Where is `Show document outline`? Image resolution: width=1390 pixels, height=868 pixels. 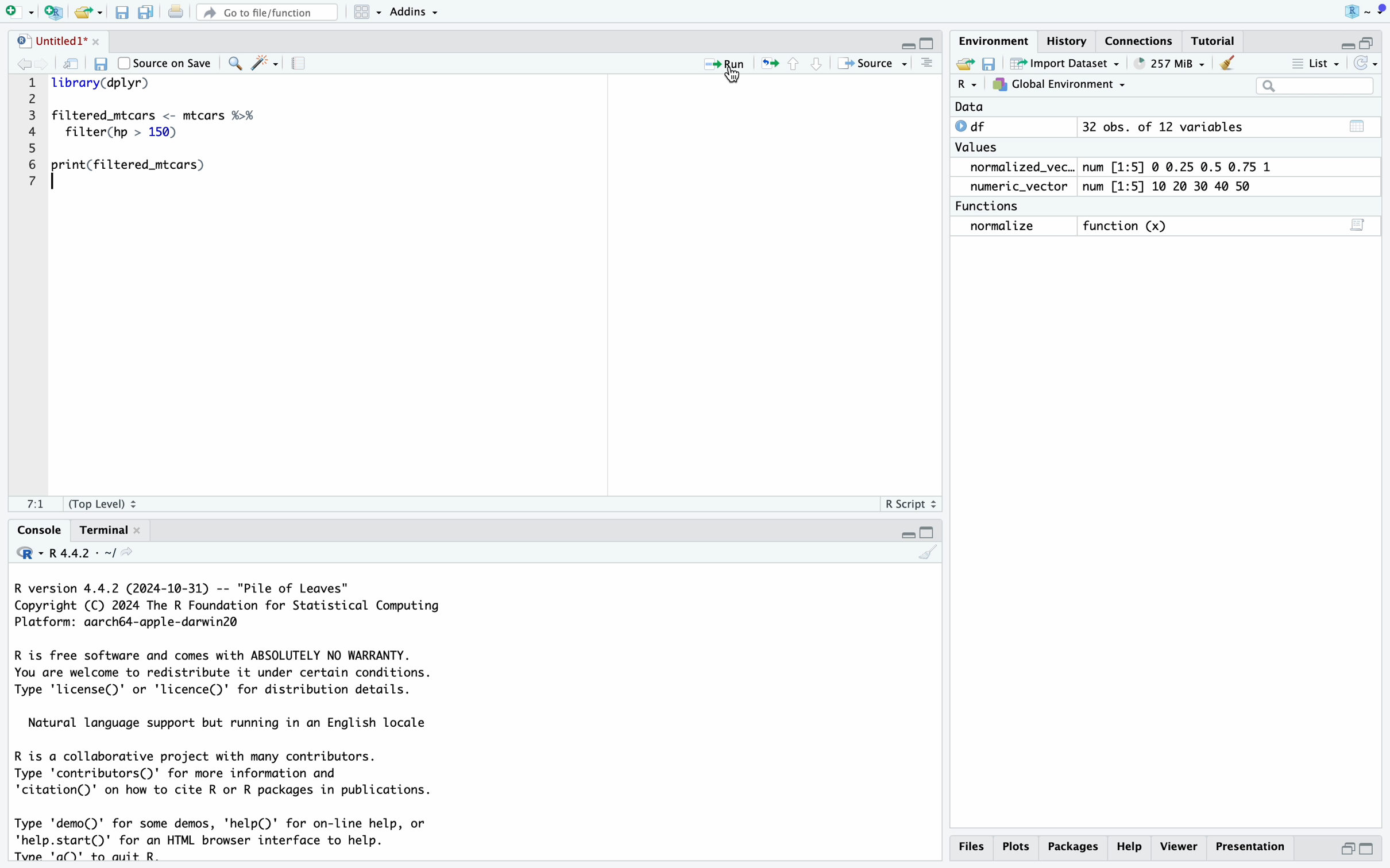
Show document outline is located at coordinates (928, 64).